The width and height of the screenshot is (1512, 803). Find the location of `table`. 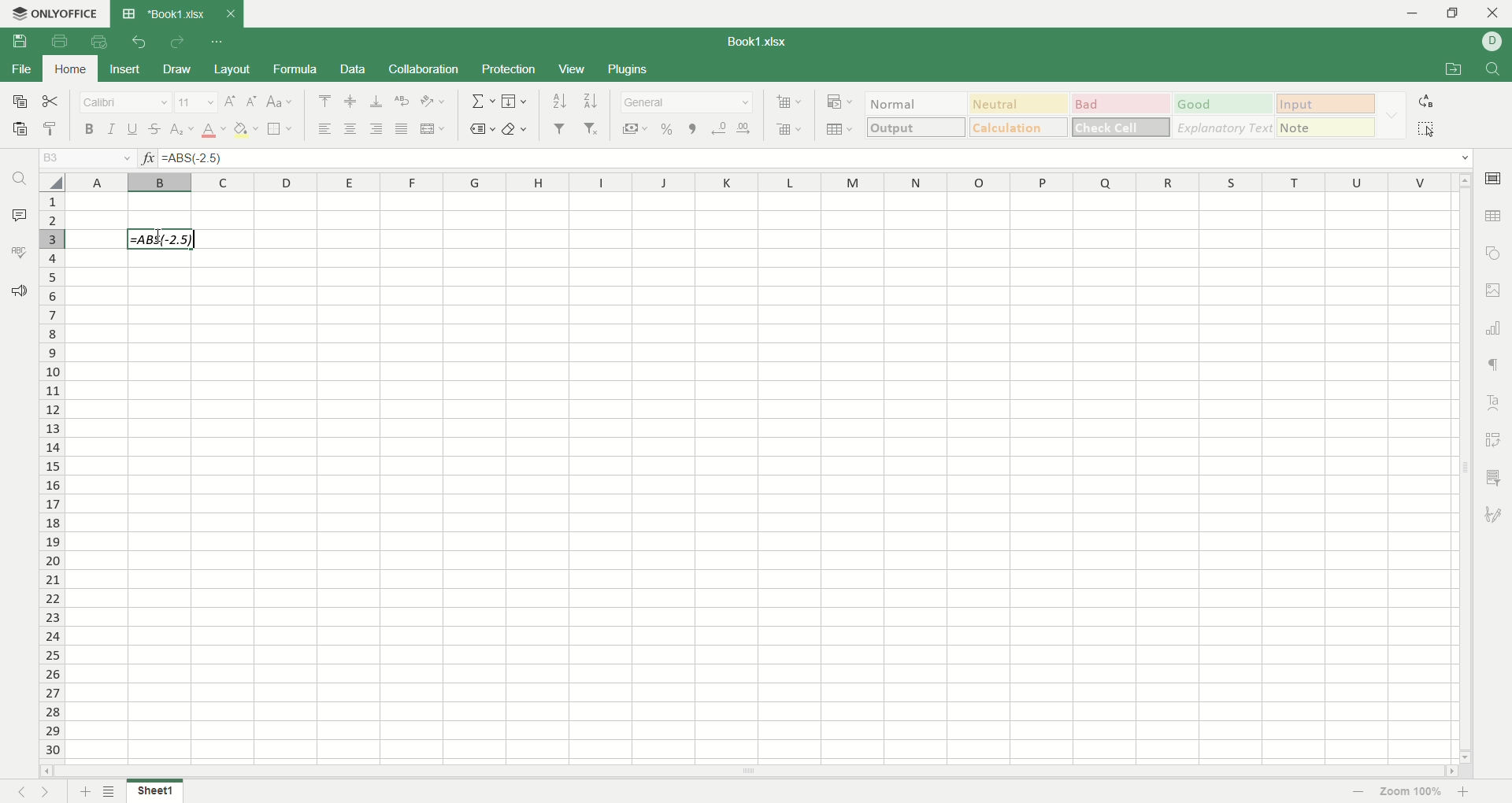

table is located at coordinates (1495, 214).